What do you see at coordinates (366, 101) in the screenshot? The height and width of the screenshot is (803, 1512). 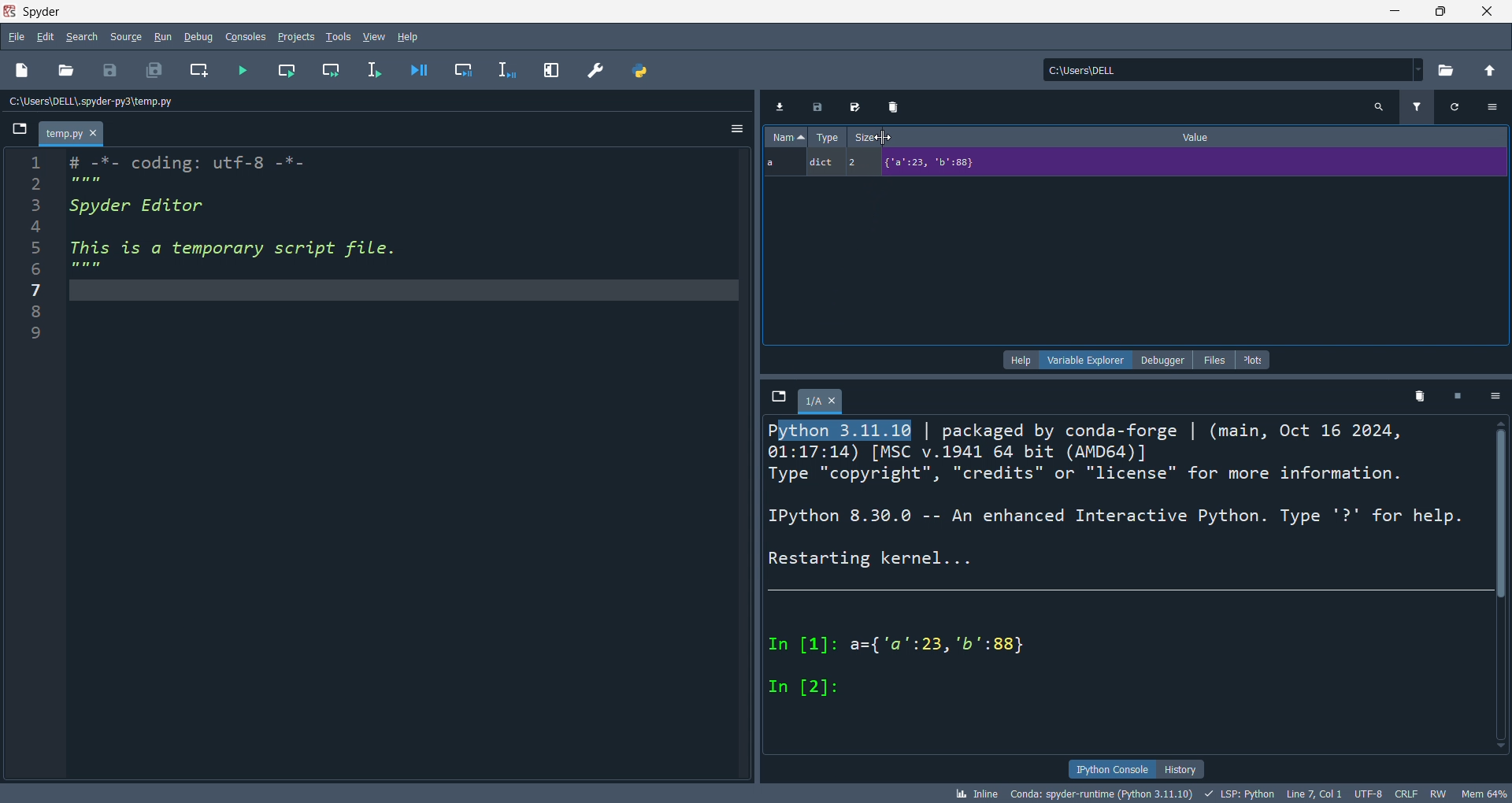 I see `file locations` at bounding box center [366, 101].